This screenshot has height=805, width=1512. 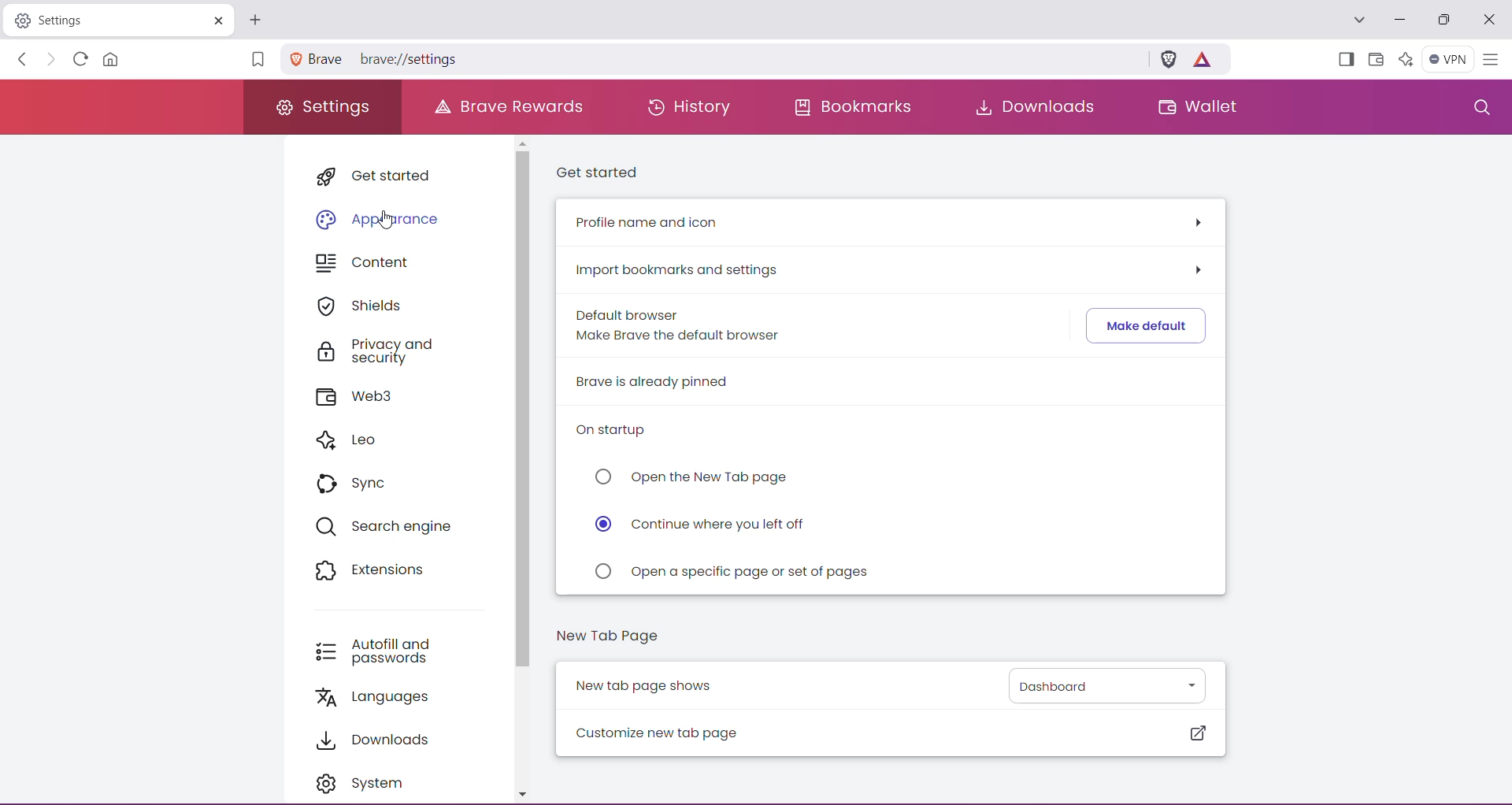 I want to click on Reload this page, so click(x=78, y=58).